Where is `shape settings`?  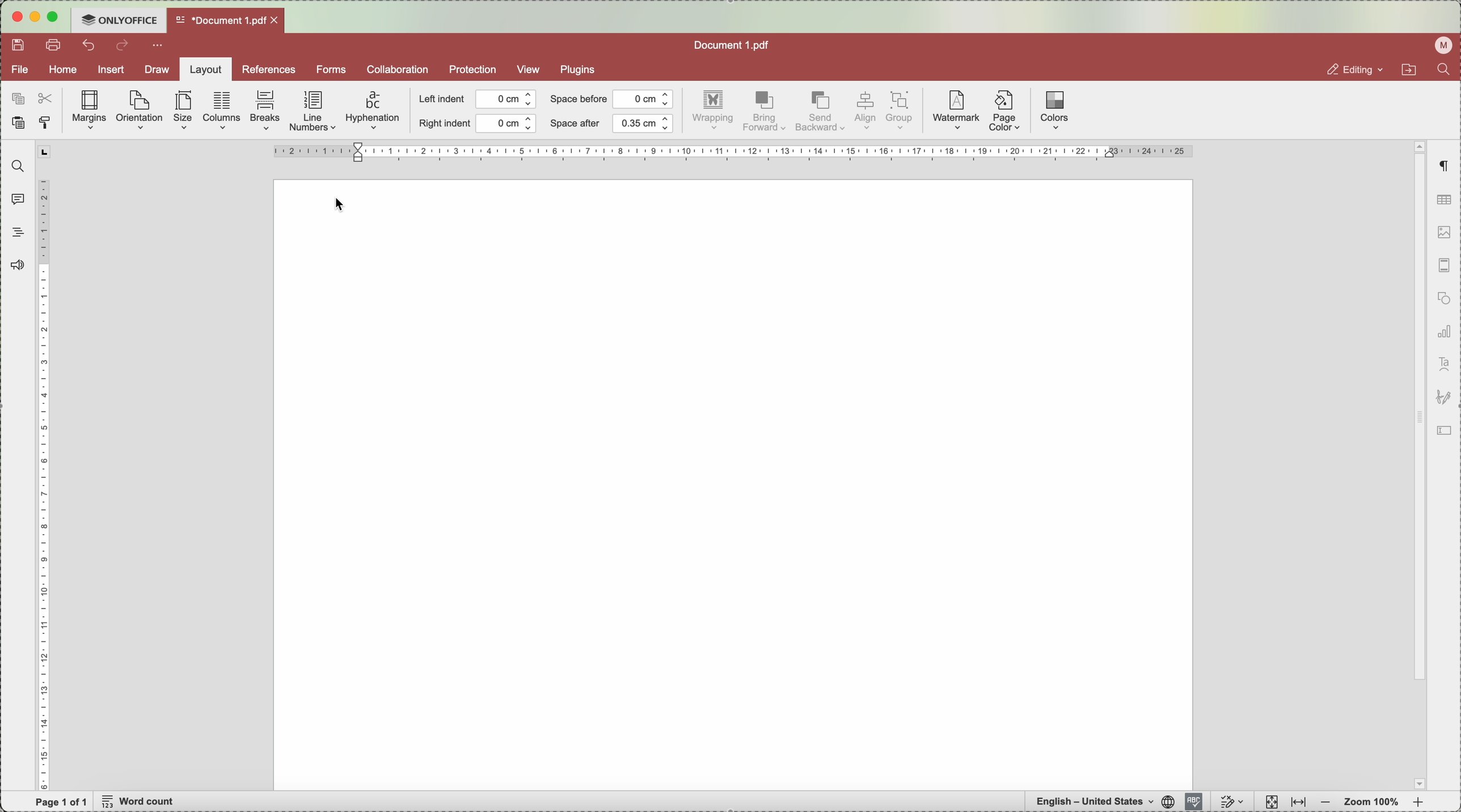 shape settings is located at coordinates (1442, 301).